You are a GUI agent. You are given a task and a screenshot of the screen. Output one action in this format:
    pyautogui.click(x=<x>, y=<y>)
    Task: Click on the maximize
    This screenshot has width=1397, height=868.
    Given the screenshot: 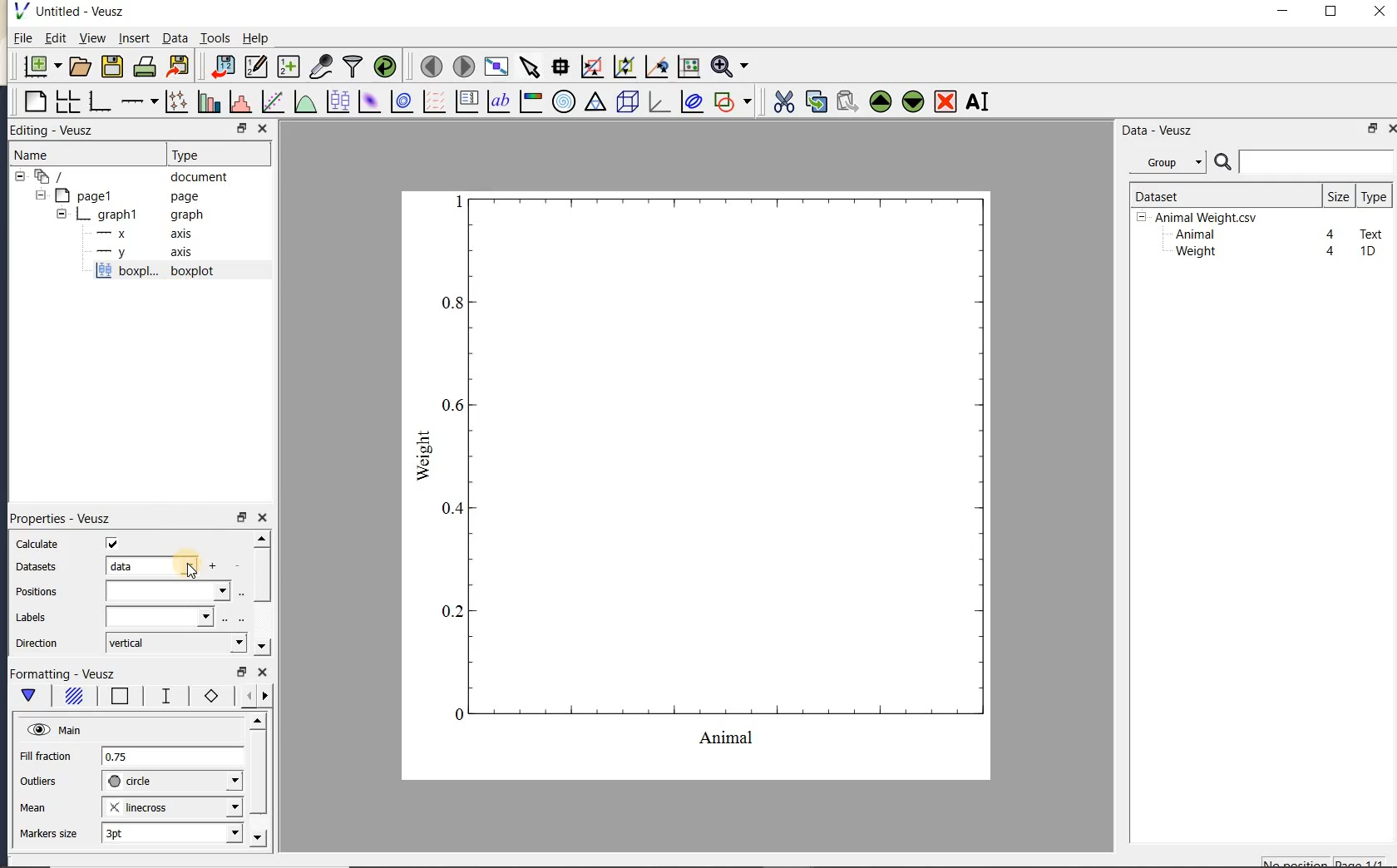 What is the action you would take?
    pyautogui.click(x=1331, y=12)
    